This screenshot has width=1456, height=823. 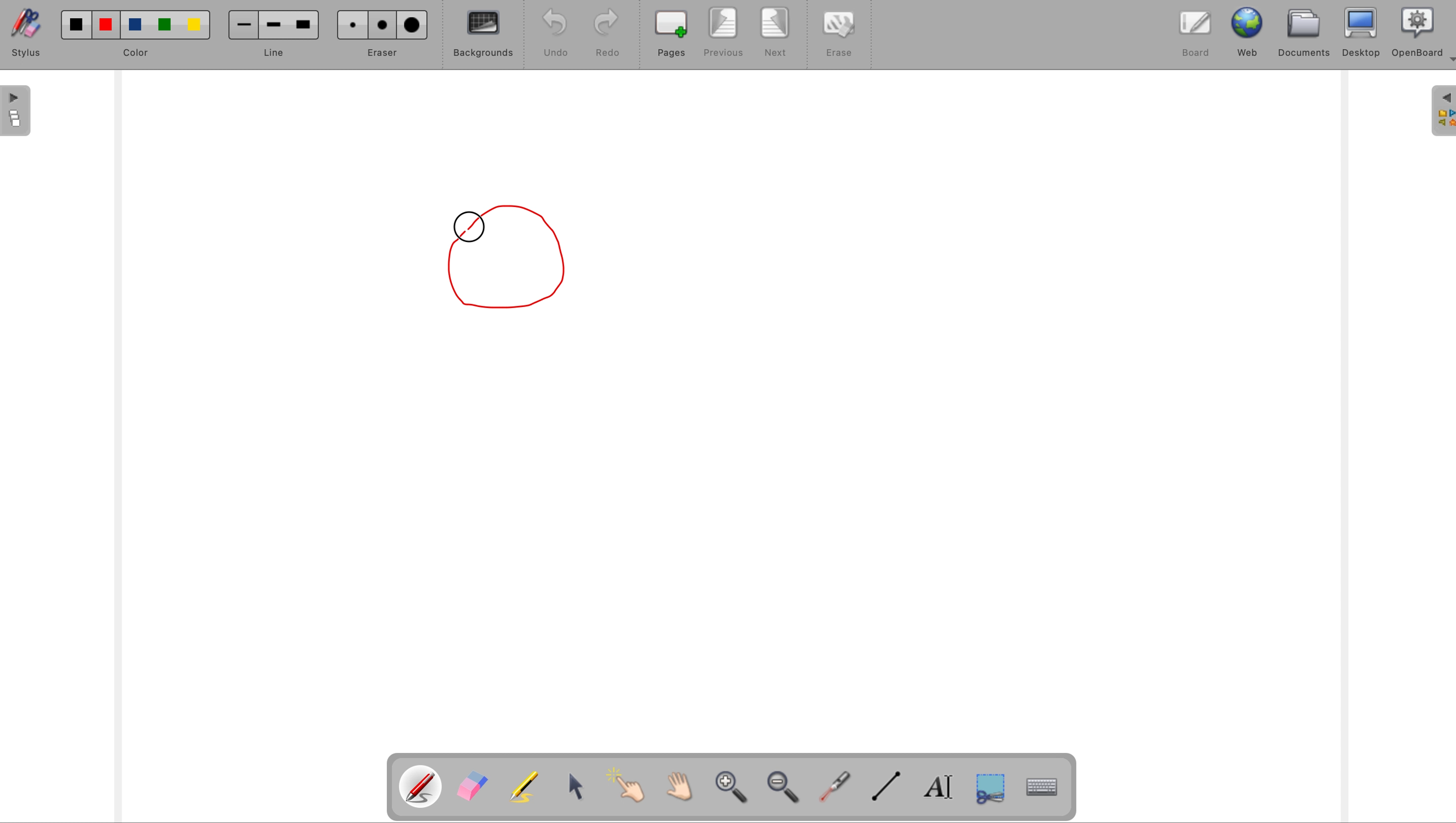 What do you see at coordinates (470, 231) in the screenshot?
I see `cursor` at bounding box center [470, 231].